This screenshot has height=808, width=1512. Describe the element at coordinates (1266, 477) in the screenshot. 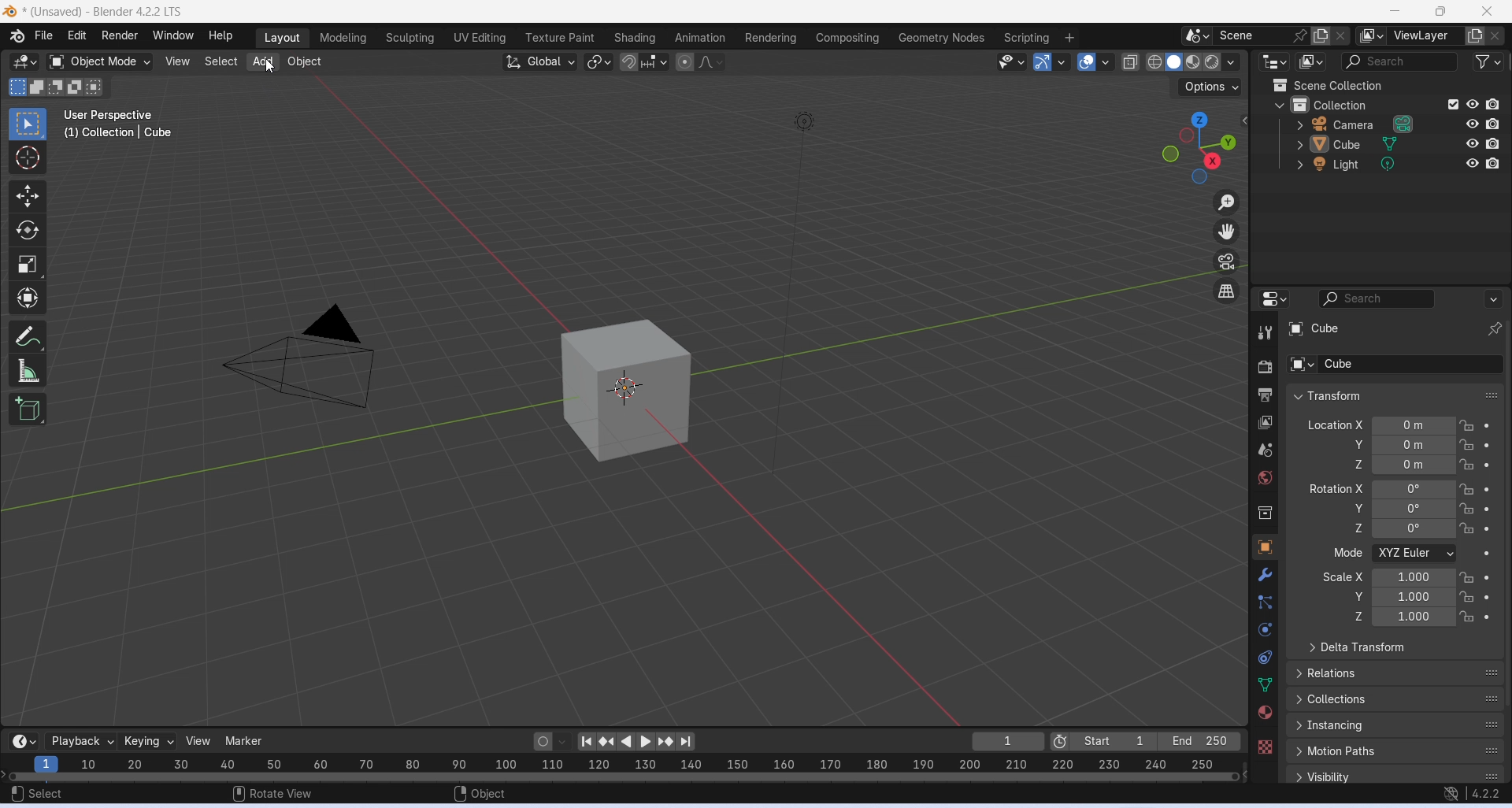

I see `world` at that location.